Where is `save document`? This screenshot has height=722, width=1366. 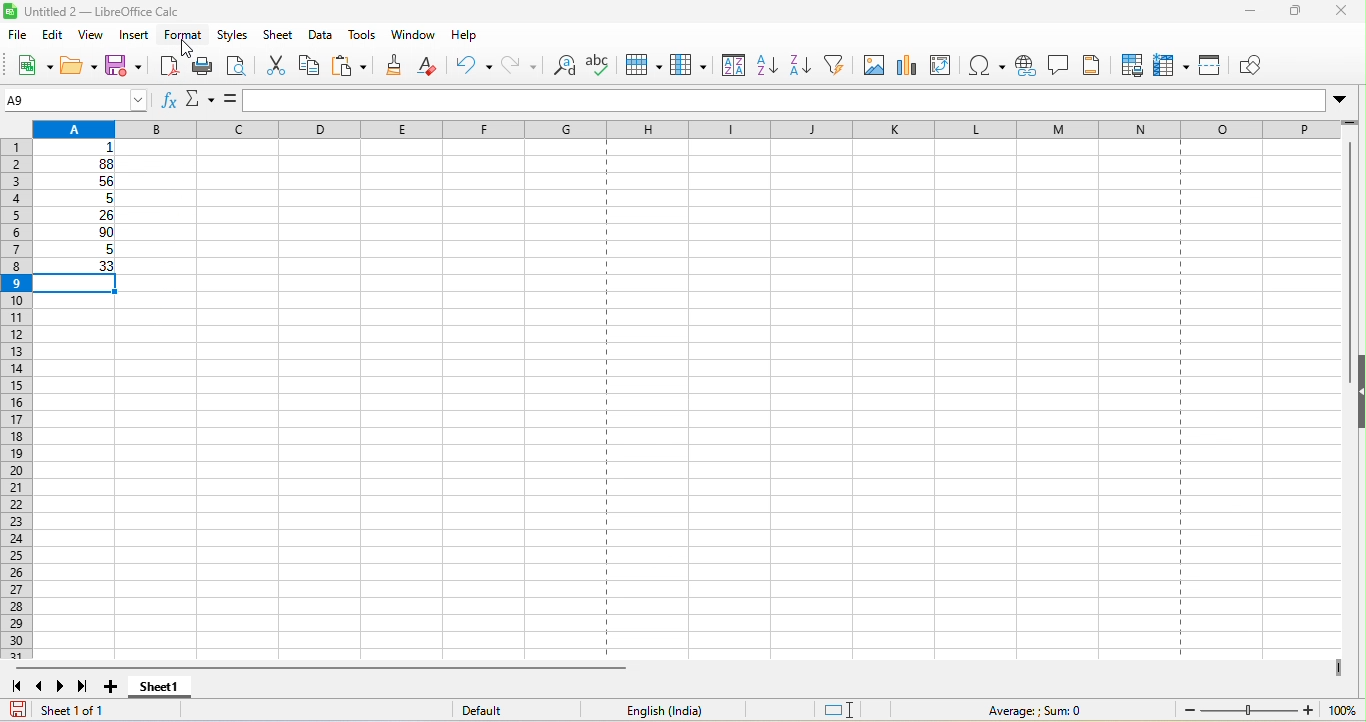 save document is located at coordinates (18, 709).